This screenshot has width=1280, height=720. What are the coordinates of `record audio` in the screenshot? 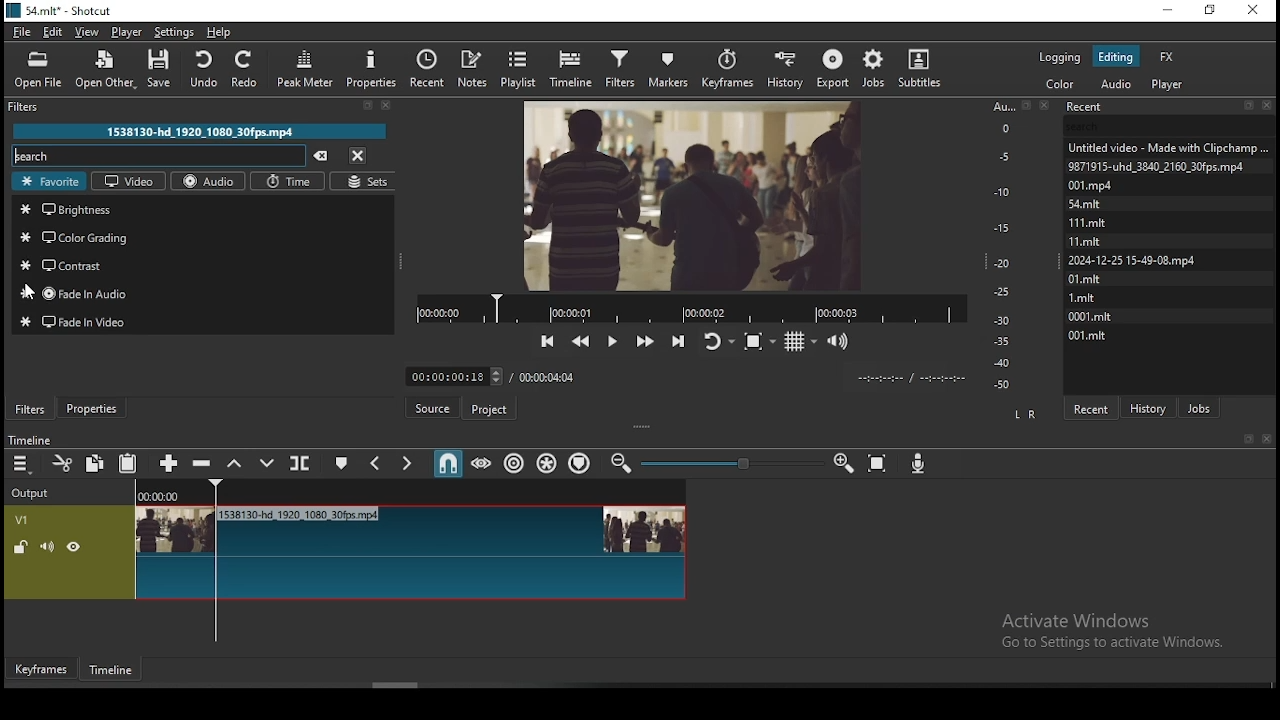 It's located at (919, 460).